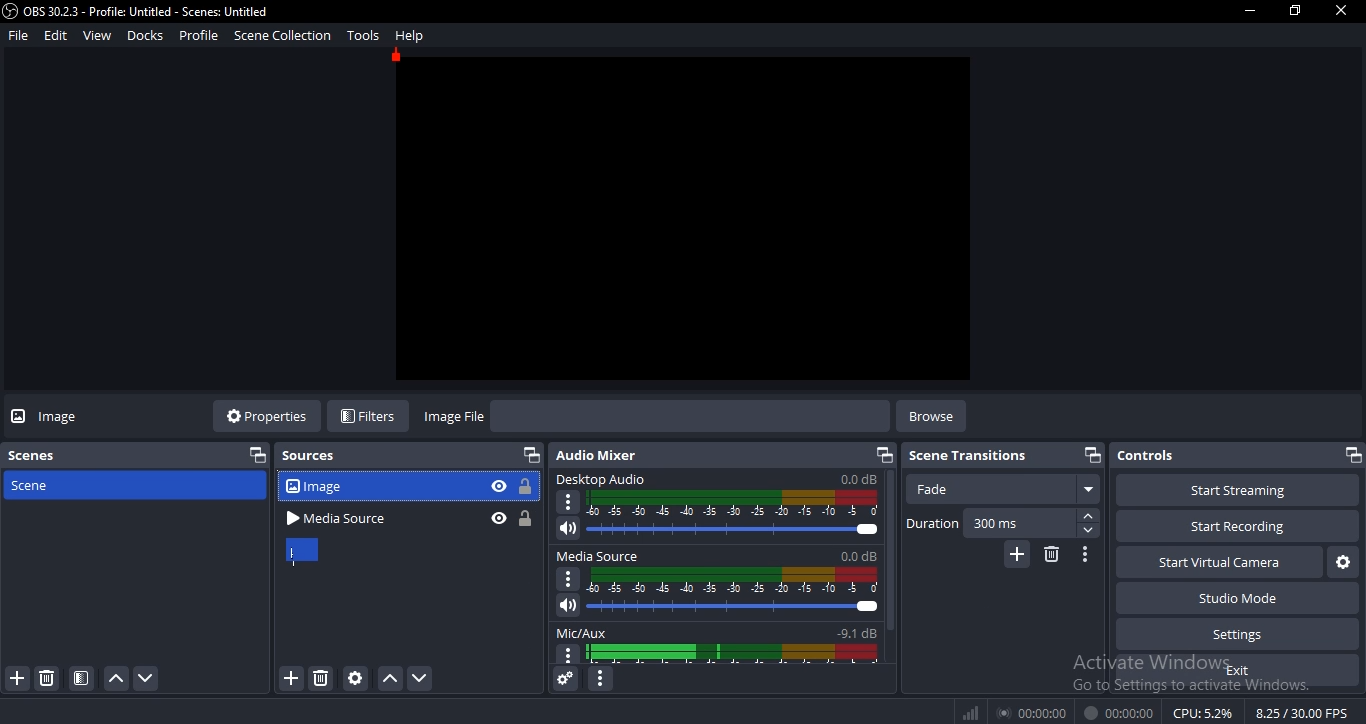 The height and width of the screenshot is (724, 1366). What do you see at coordinates (603, 680) in the screenshot?
I see `configure audio mixer` at bounding box center [603, 680].